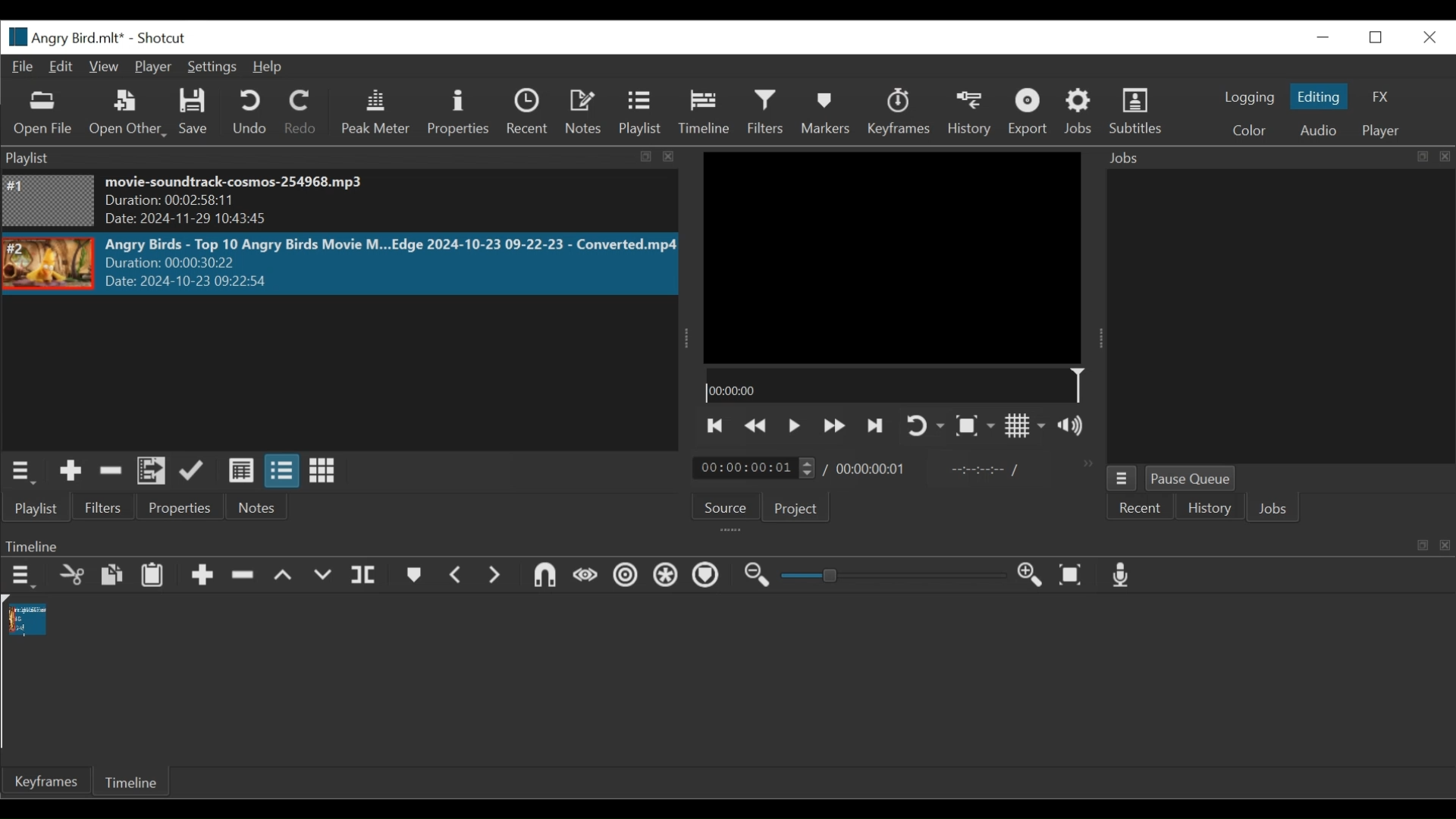  I want to click on Timeline, so click(703, 112).